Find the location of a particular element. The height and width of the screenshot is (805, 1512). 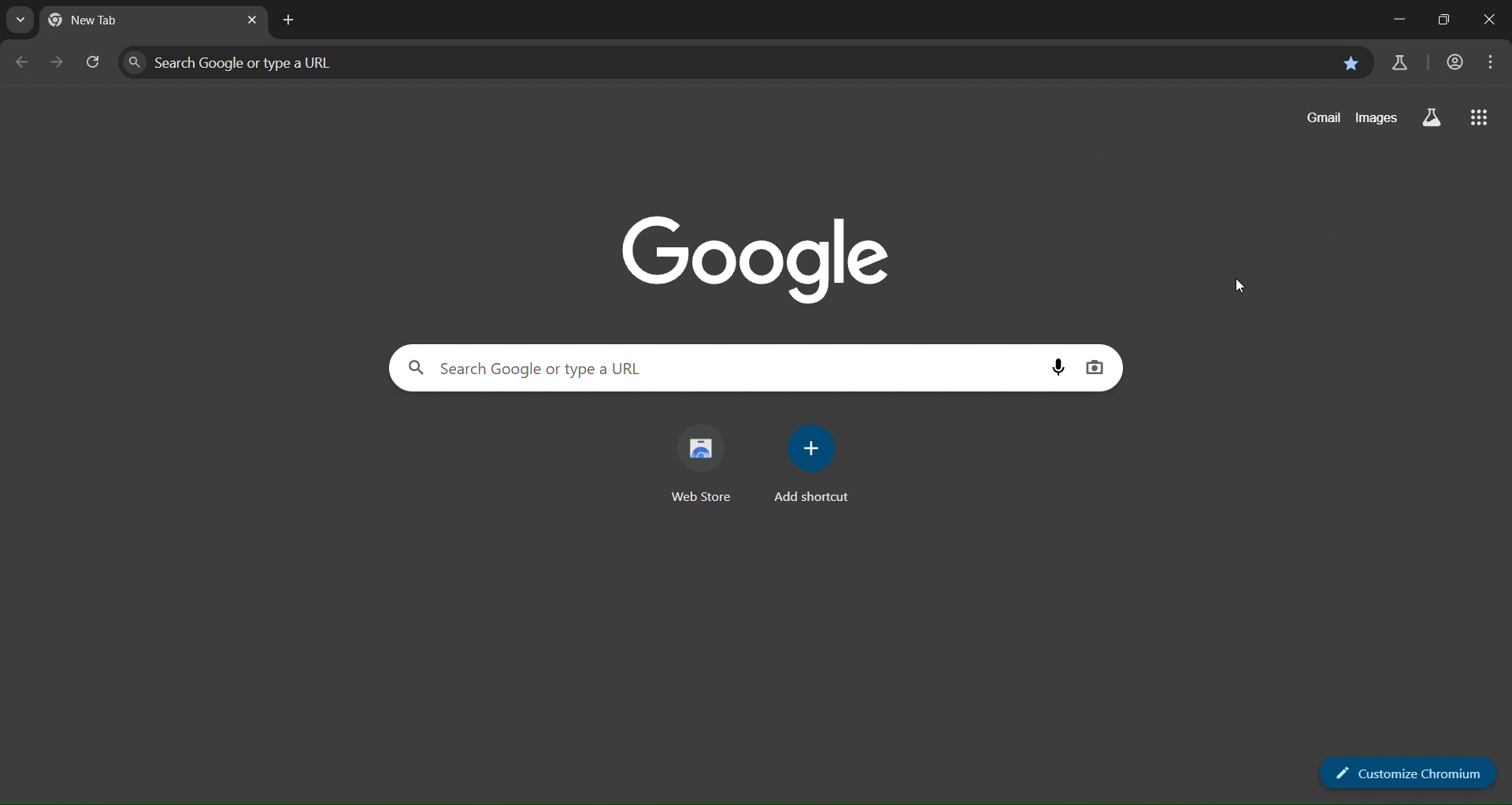

account is located at coordinates (1451, 63).